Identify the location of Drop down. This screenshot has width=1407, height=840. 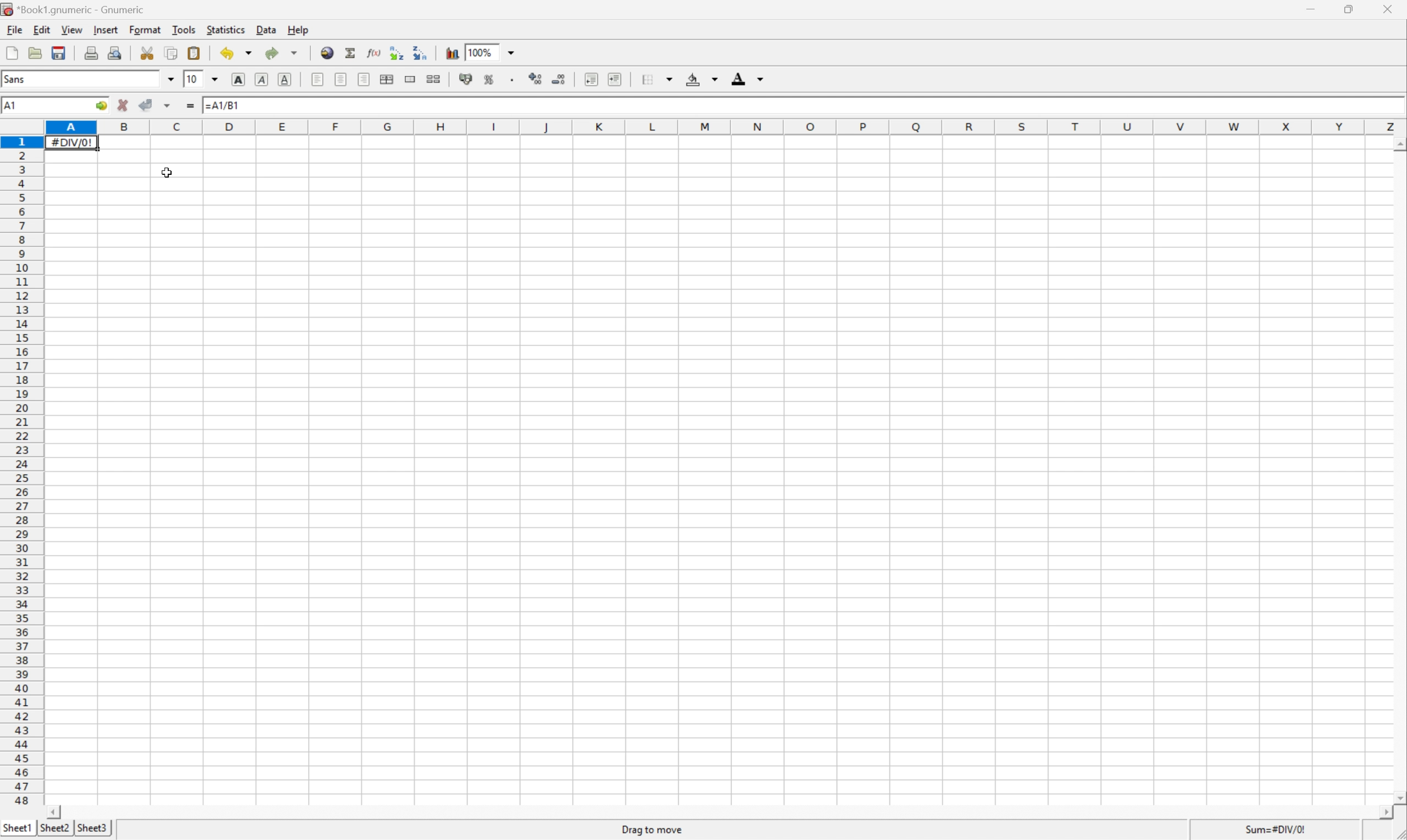
(513, 51).